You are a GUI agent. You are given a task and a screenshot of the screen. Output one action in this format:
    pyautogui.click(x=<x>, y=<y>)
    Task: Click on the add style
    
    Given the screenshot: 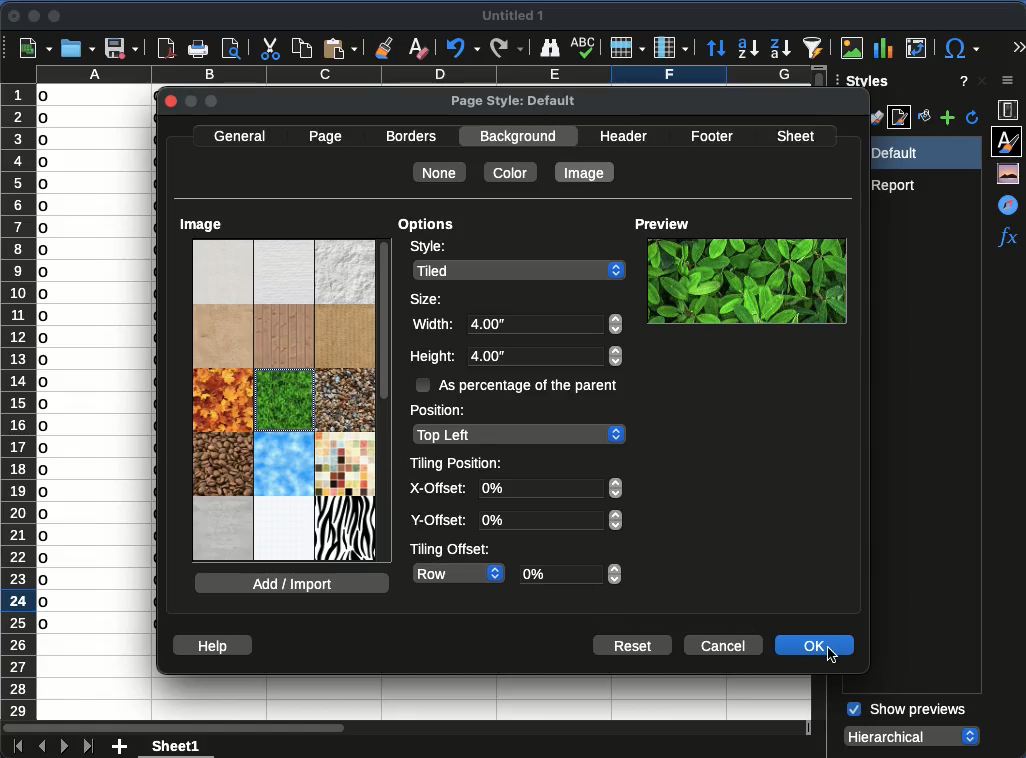 What is the action you would take?
    pyautogui.click(x=948, y=119)
    